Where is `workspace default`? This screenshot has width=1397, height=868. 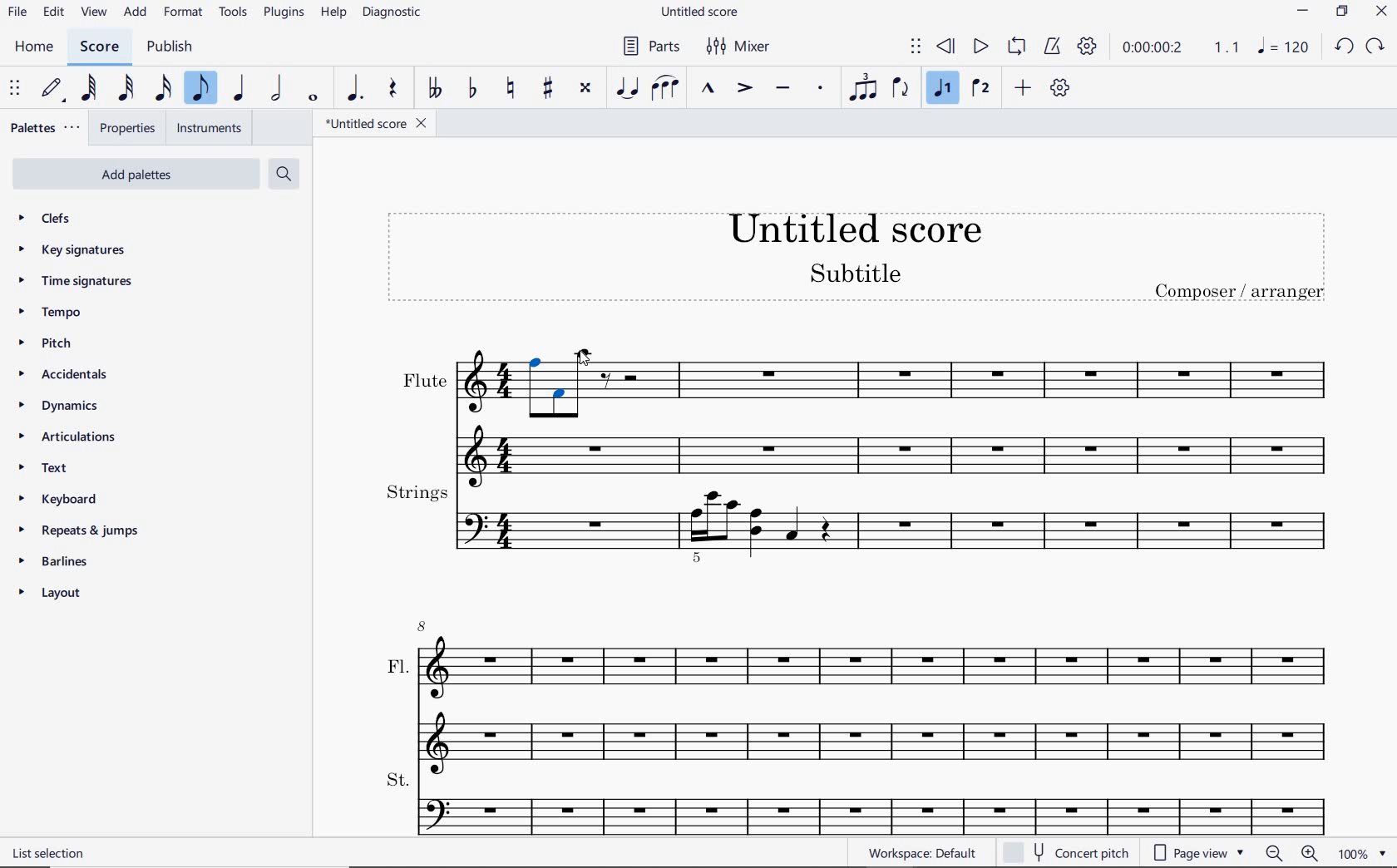
workspace default is located at coordinates (922, 853).